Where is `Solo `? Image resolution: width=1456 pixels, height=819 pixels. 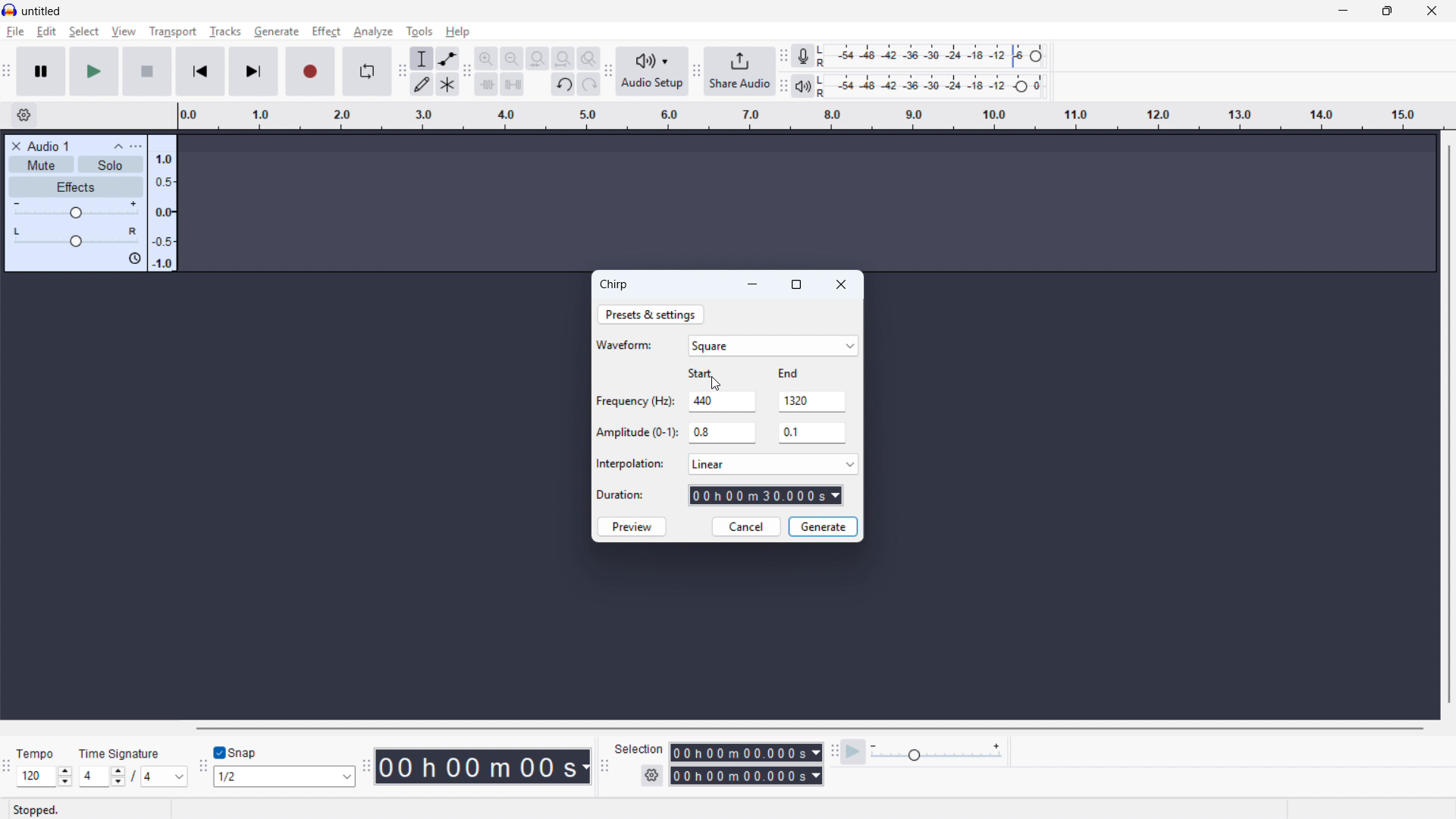
Solo  is located at coordinates (111, 165).